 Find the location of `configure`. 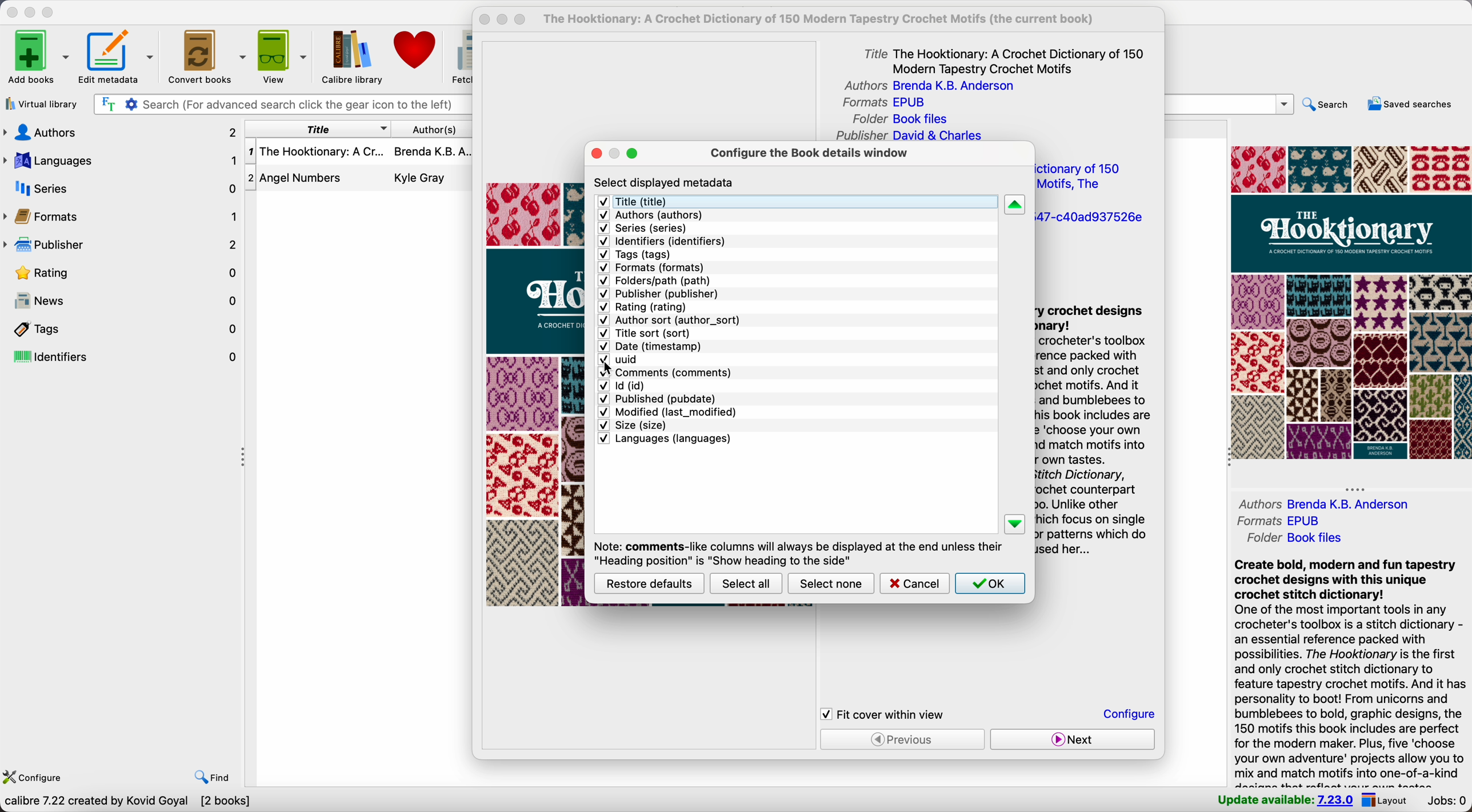

configure is located at coordinates (32, 778).